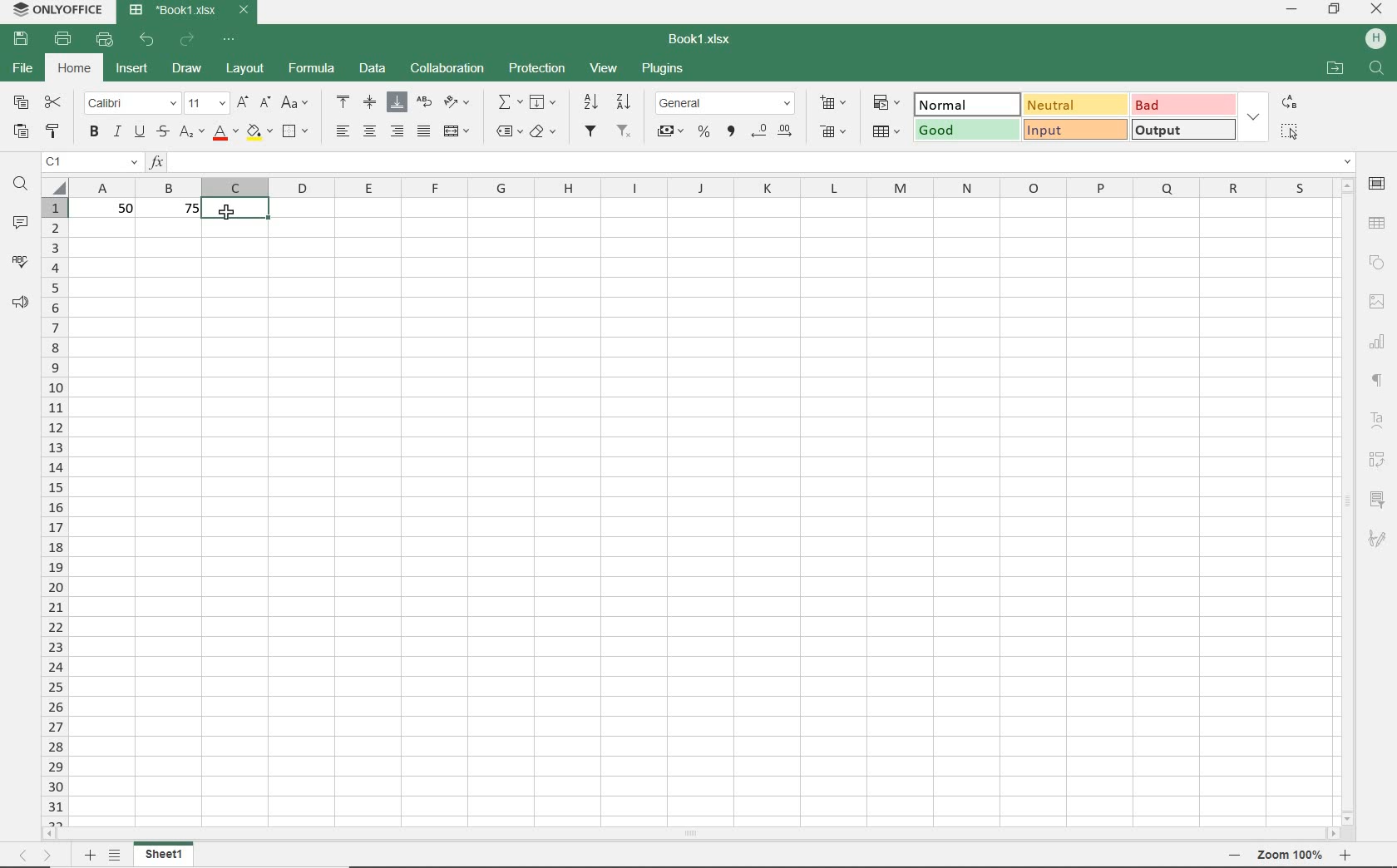  What do you see at coordinates (236, 210) in the screenshot?
I see `selected cell` at bounding box center [236, 210].